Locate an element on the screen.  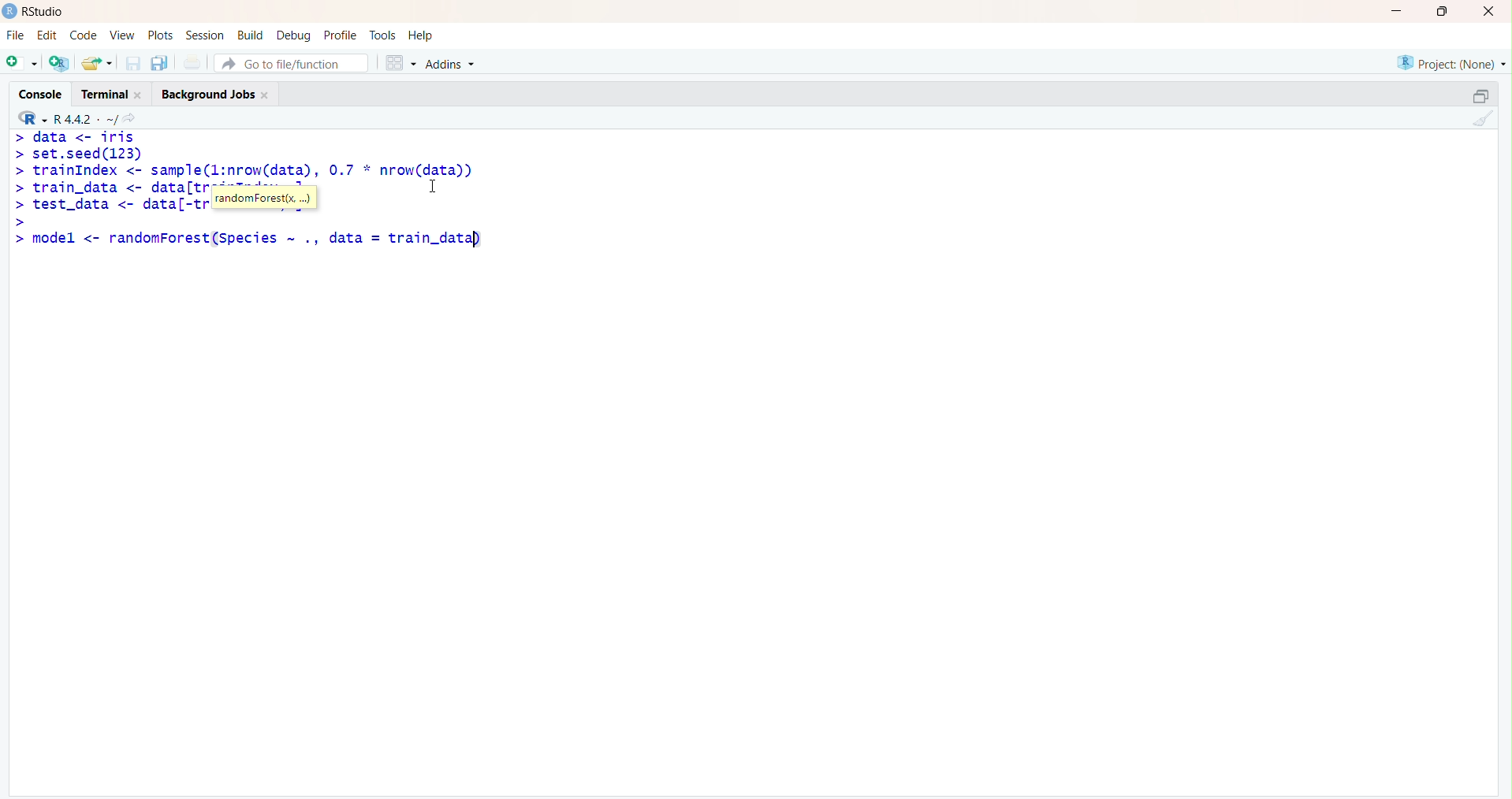
Background Jobs is located at coordinates (215, 93).